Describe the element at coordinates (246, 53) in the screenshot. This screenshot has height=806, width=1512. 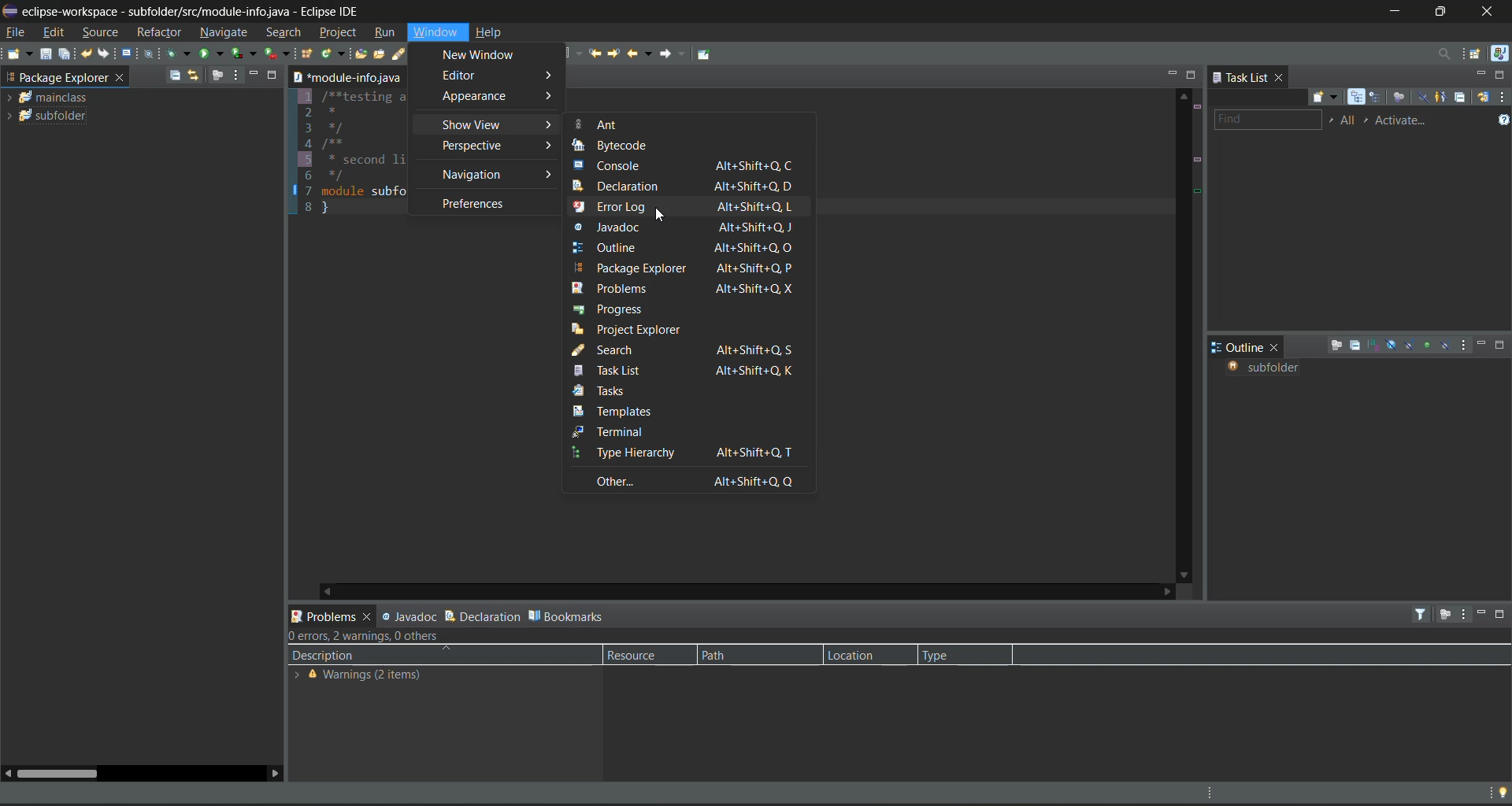
I see `coverage` at that location.